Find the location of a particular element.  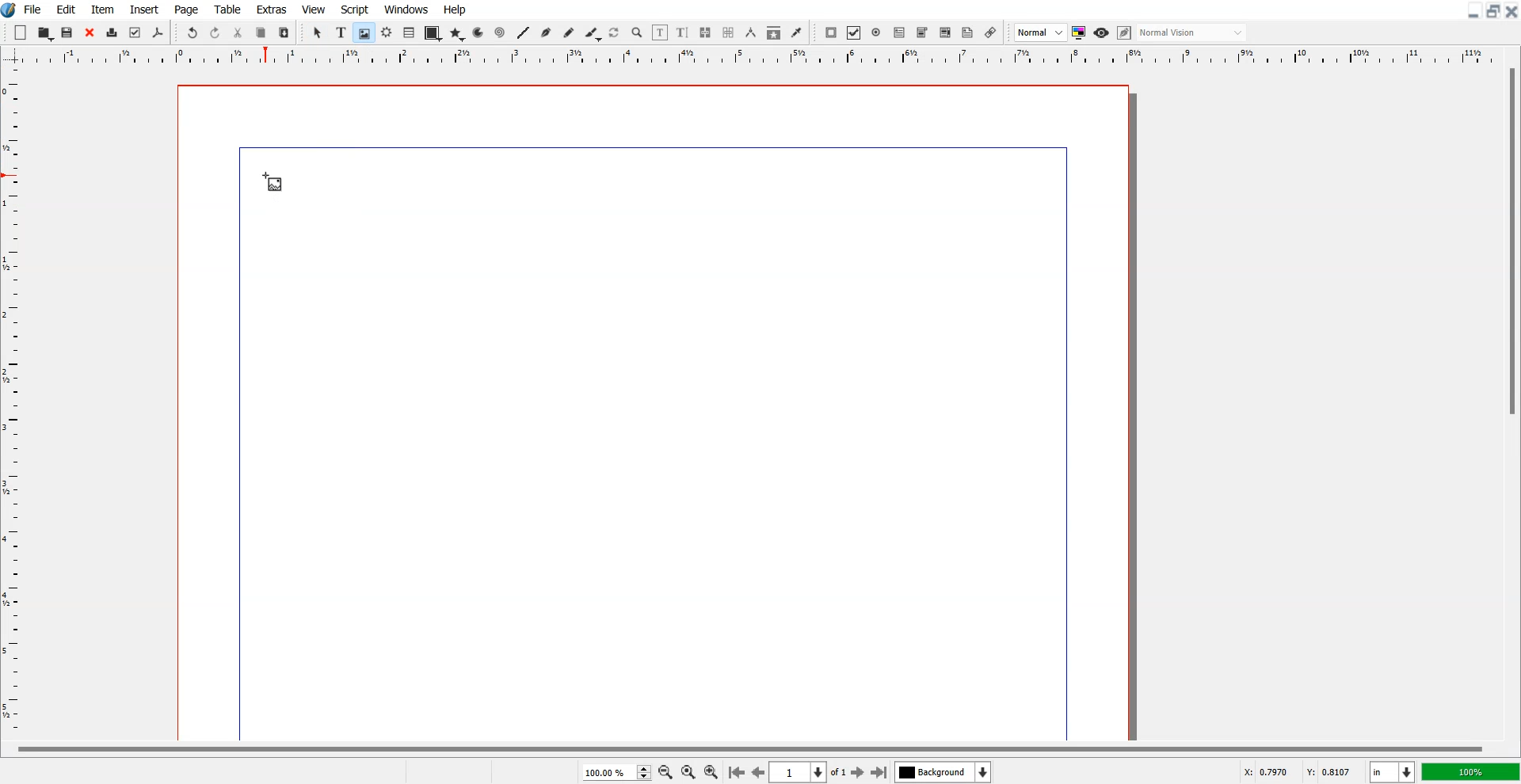

Copy Item Properties is located at coordinates (773, 32).